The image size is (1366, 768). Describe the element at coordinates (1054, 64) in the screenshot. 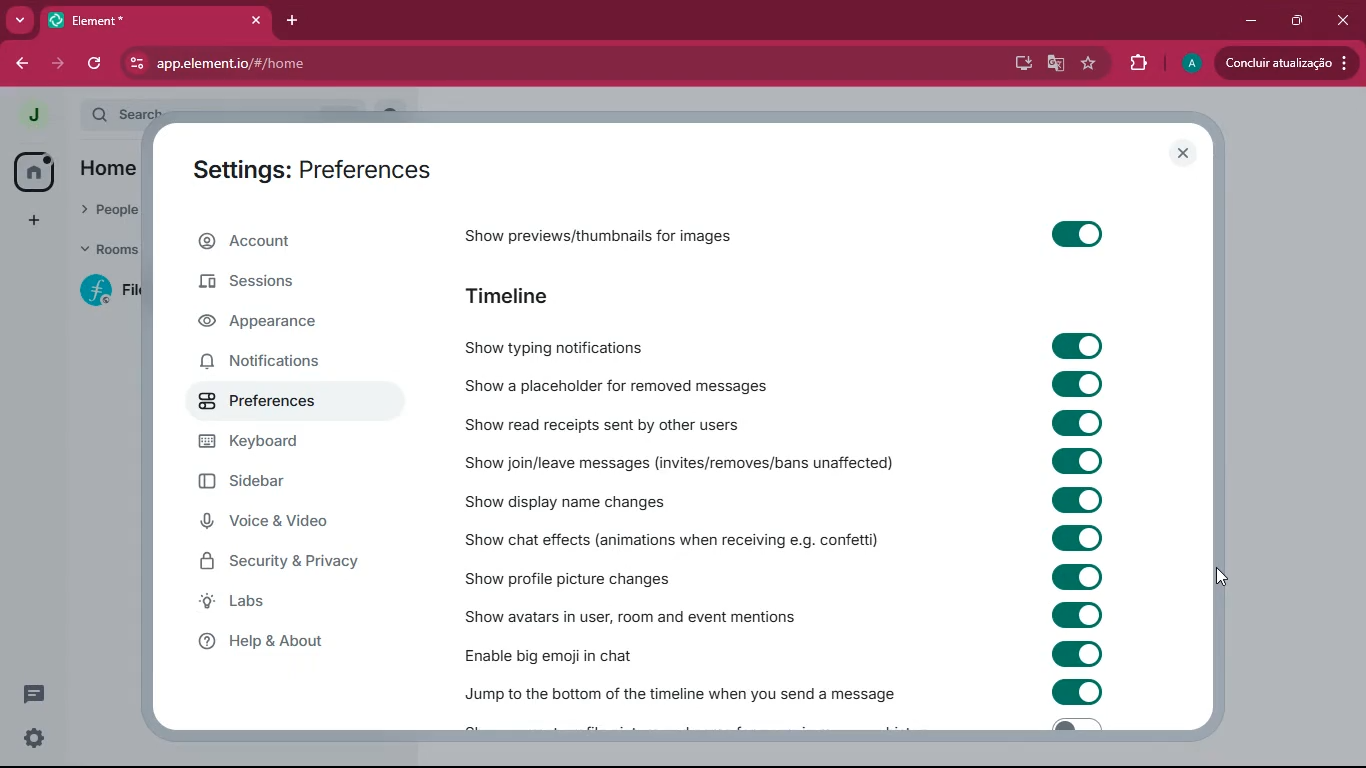

I see `google translate` at that location.